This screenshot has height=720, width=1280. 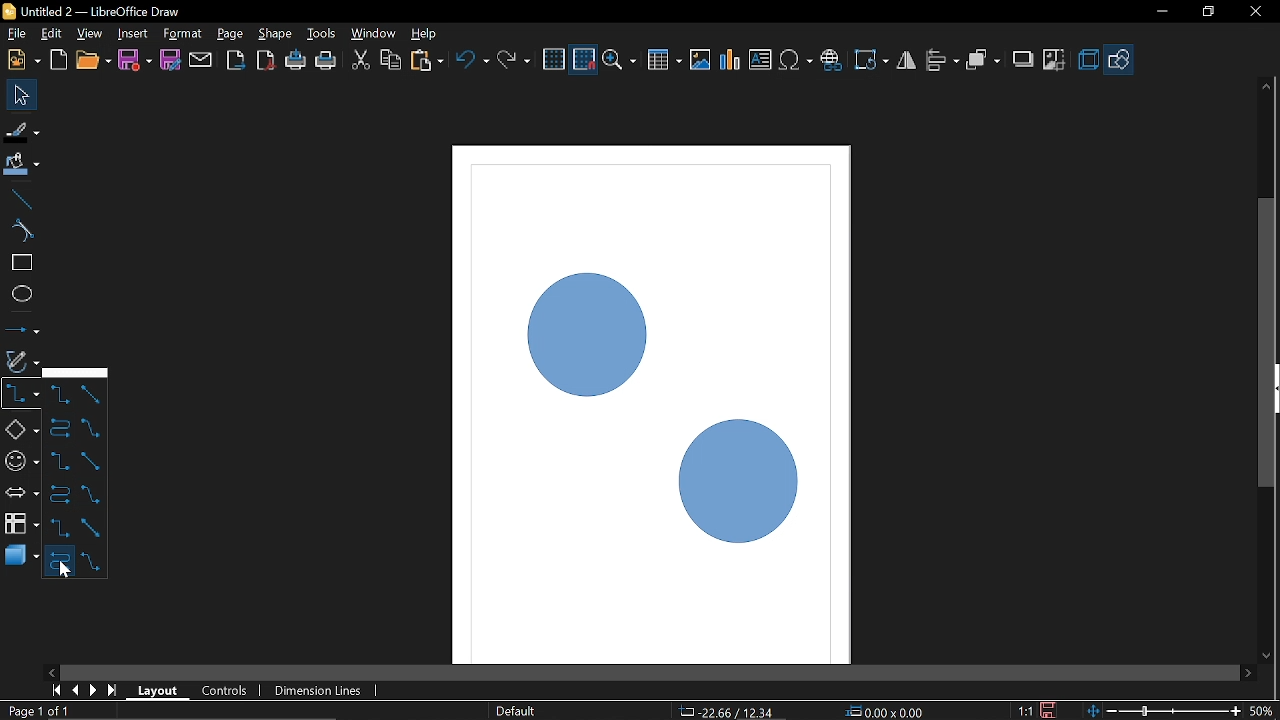 What do you see at coordinates (1251, 674) in the screenshot?
I see `Move right` at bounding box center [1251, 674].